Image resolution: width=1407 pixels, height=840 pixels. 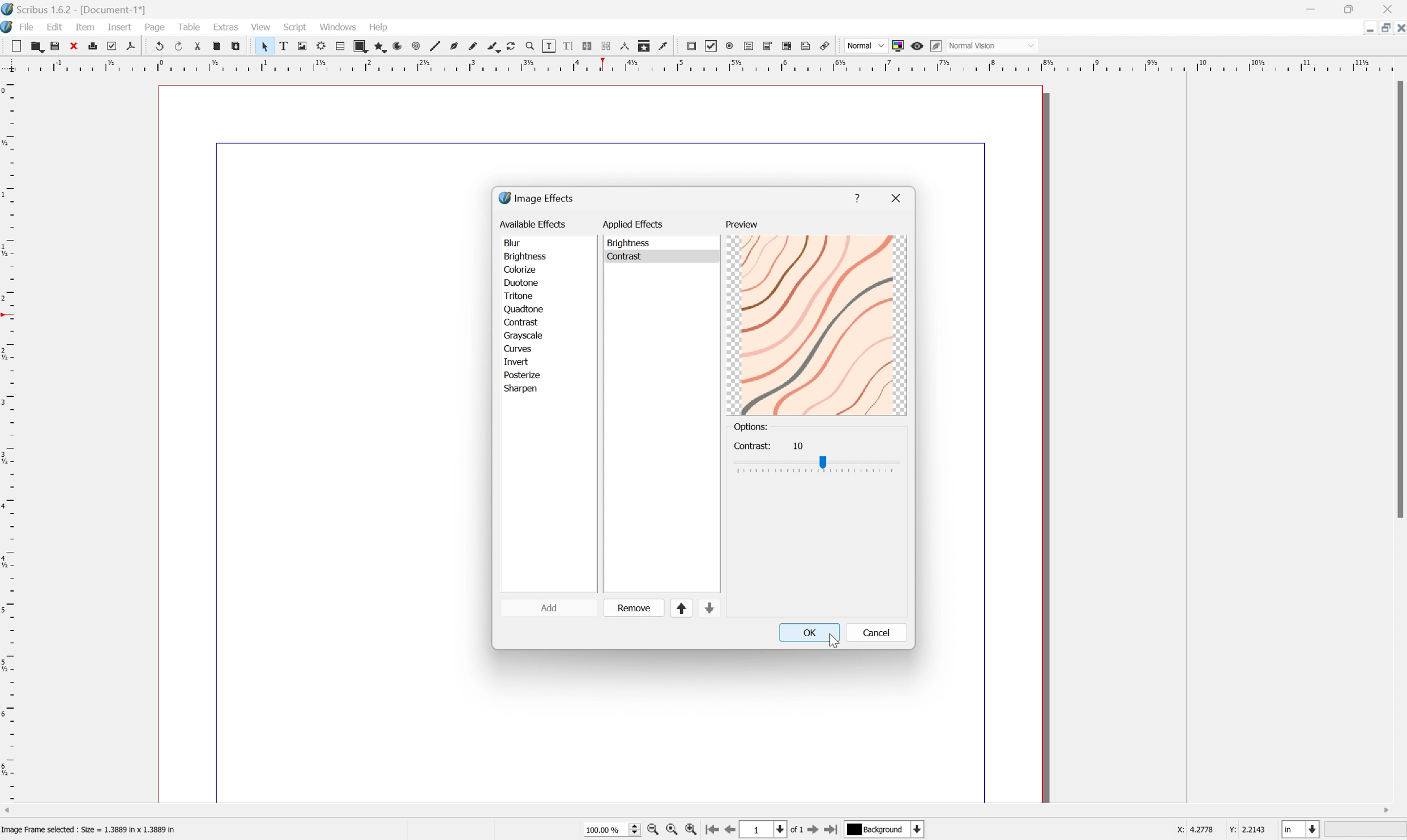 What do you see at coordinates (119, 27) in the screenshot?
I see `Insert` at bounding box center [119, 27].